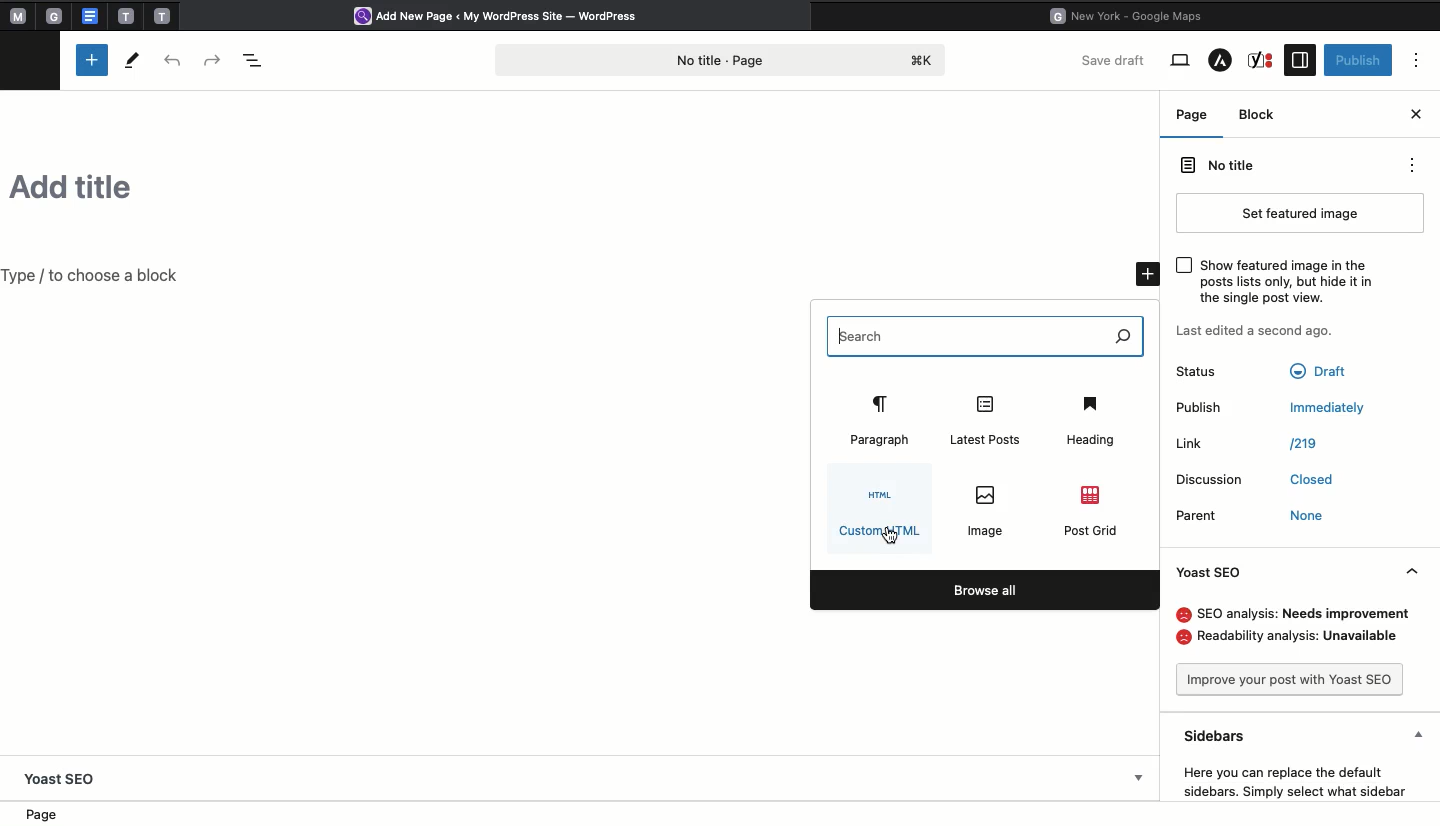 The image size is (1440, 826). I want to click on sidebars, so click(1309, 733).